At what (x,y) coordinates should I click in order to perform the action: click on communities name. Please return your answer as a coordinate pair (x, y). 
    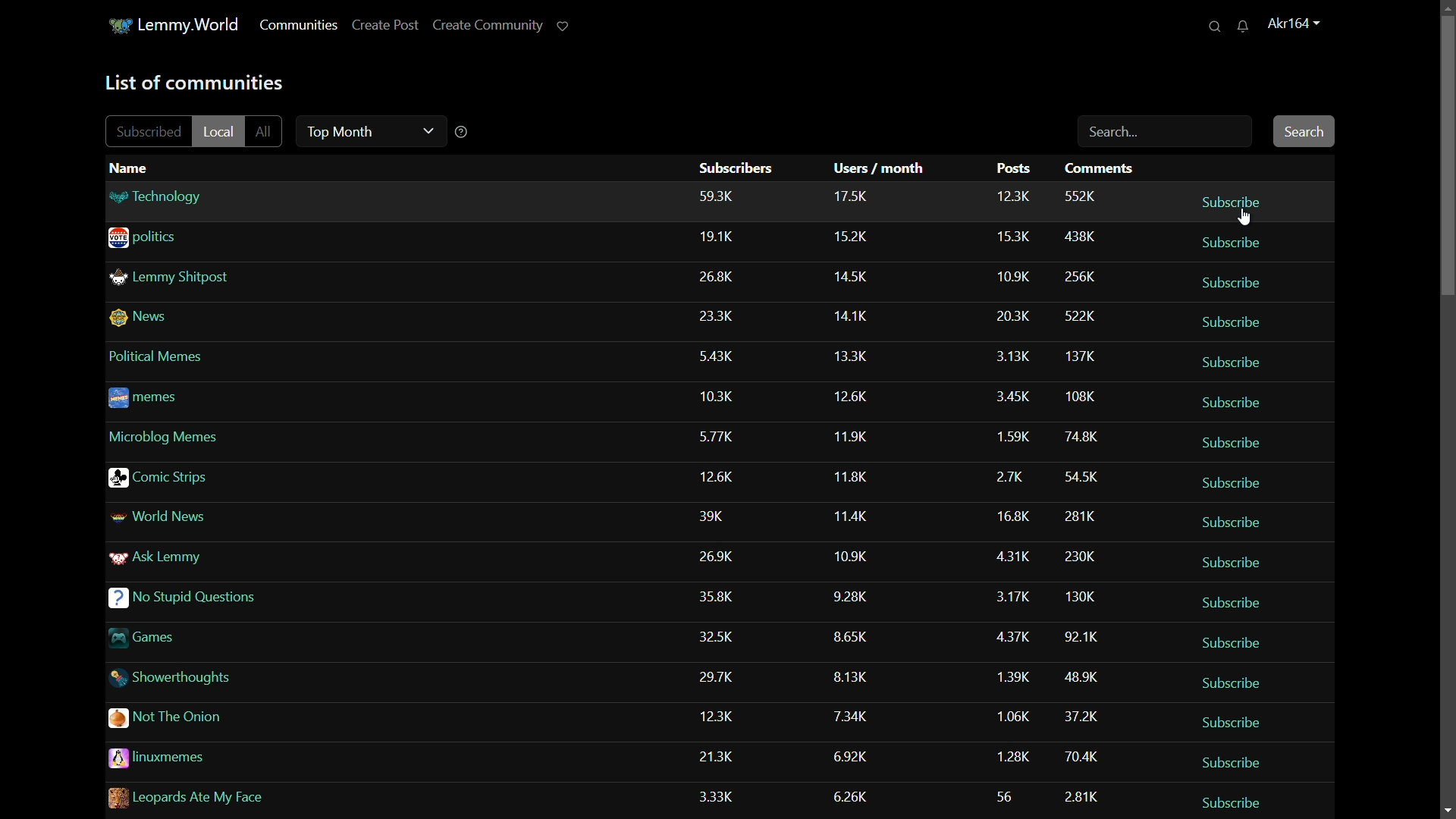
    Looking at the image, I should click on (303, 796).